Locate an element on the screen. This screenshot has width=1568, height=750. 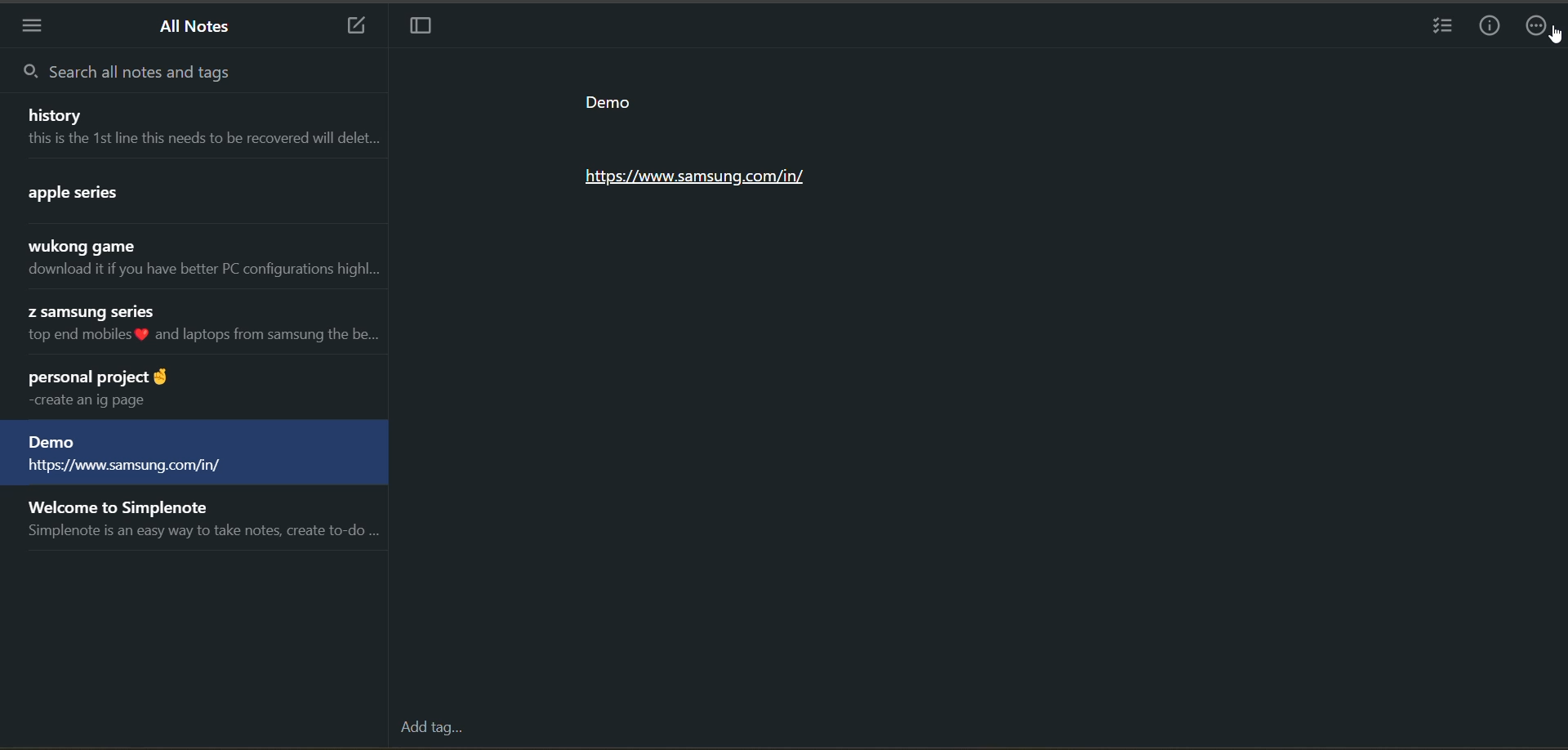
note title and preview is located at coordinates (195, 326).